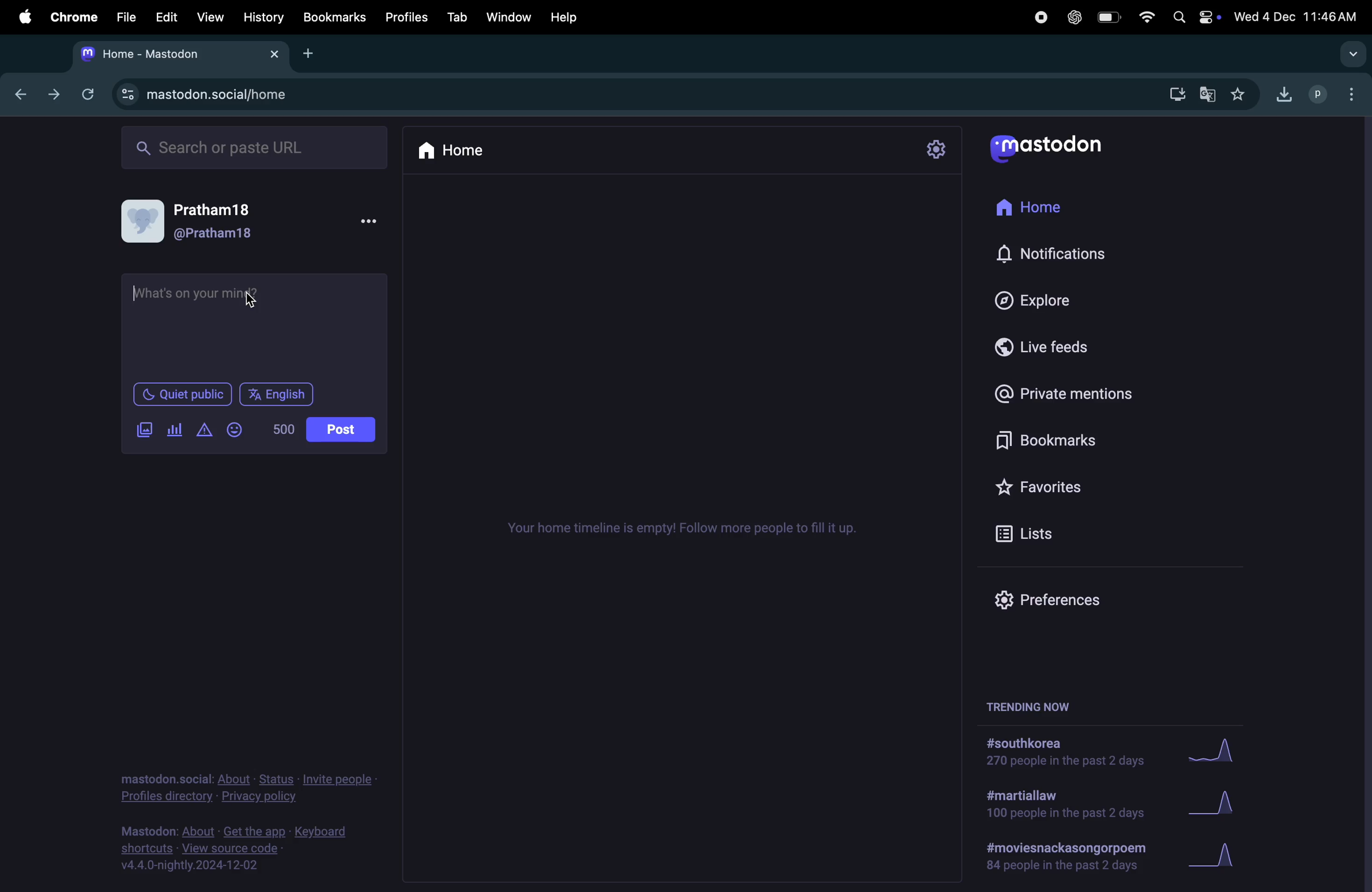 The image size is (1372, 892). I want to click on History, so click(262, 19).